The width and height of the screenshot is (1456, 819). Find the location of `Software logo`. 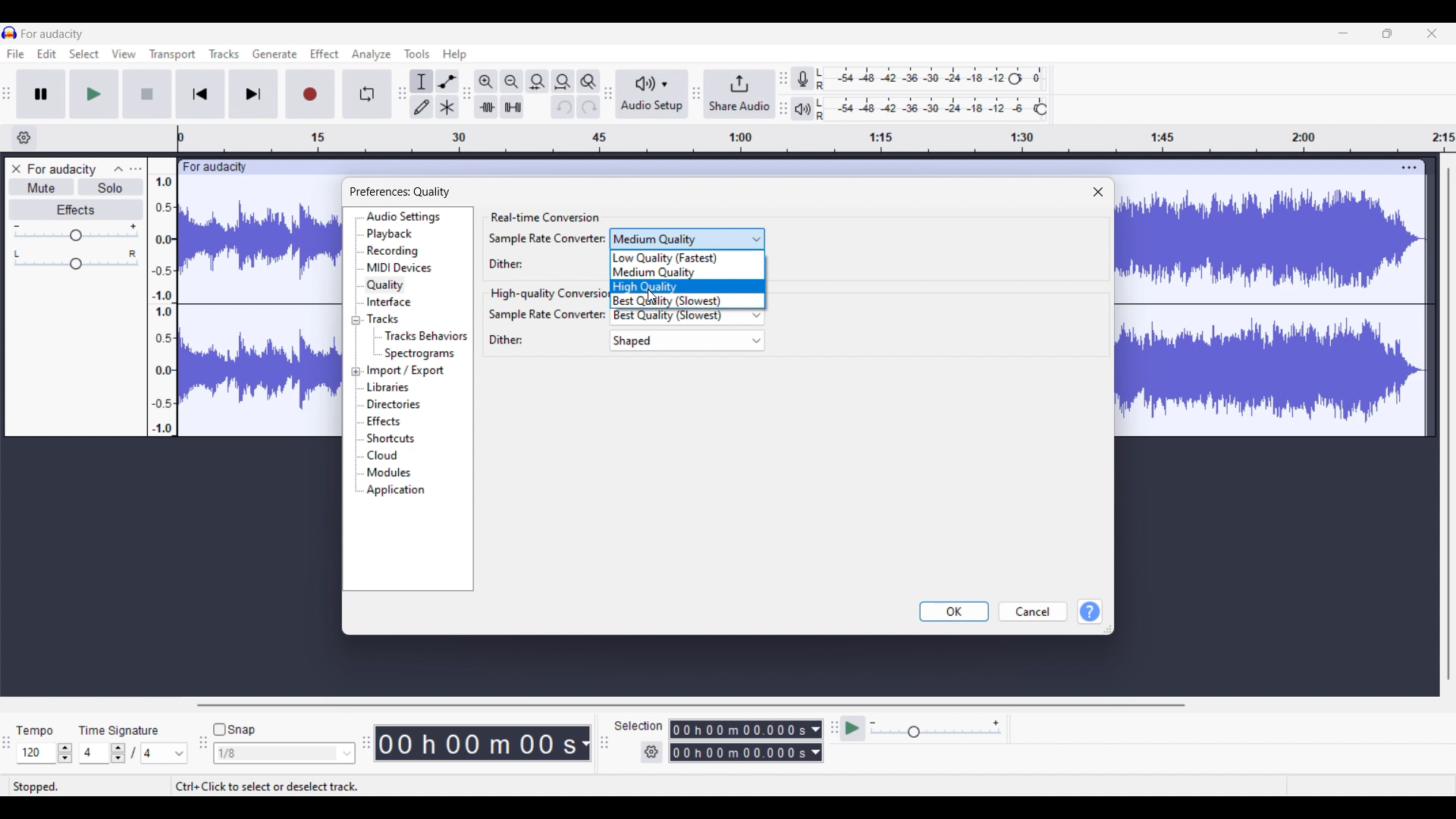

Software logo is located at coordinates (10, 32).